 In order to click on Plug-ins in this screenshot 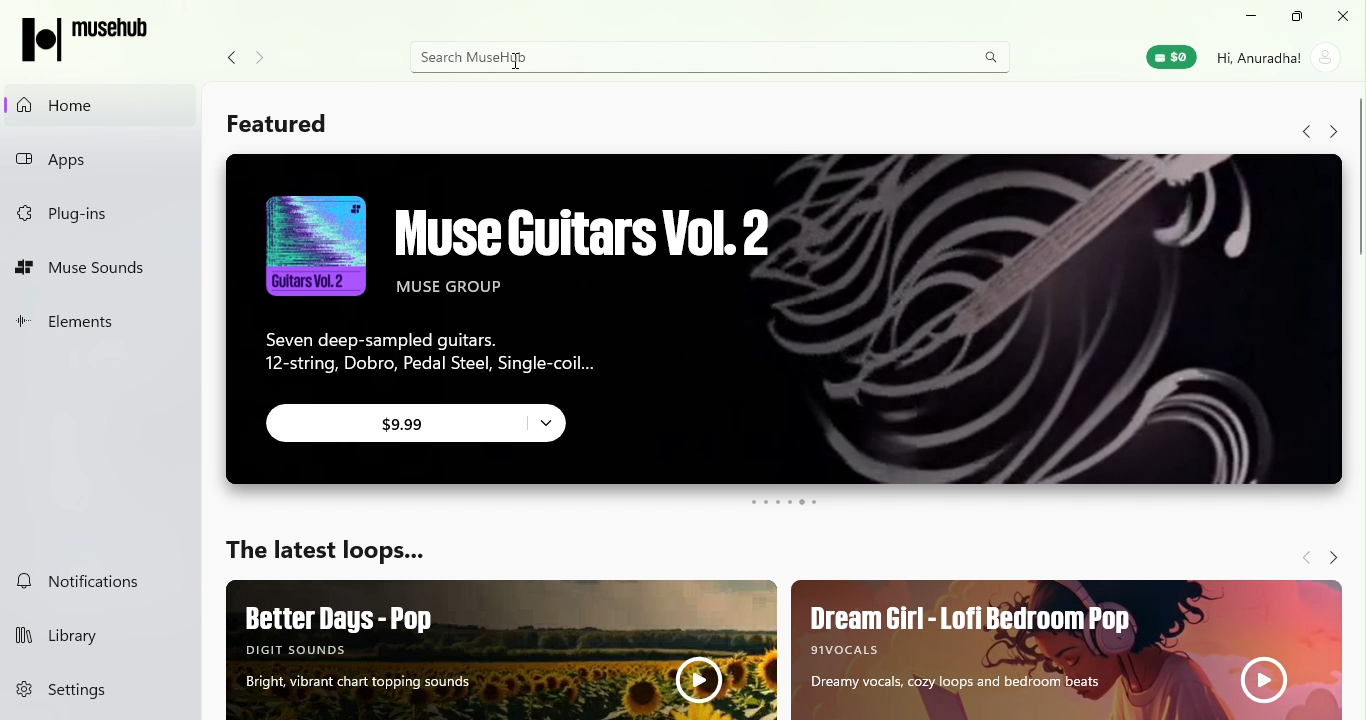, I will do `click(92, 209)`.